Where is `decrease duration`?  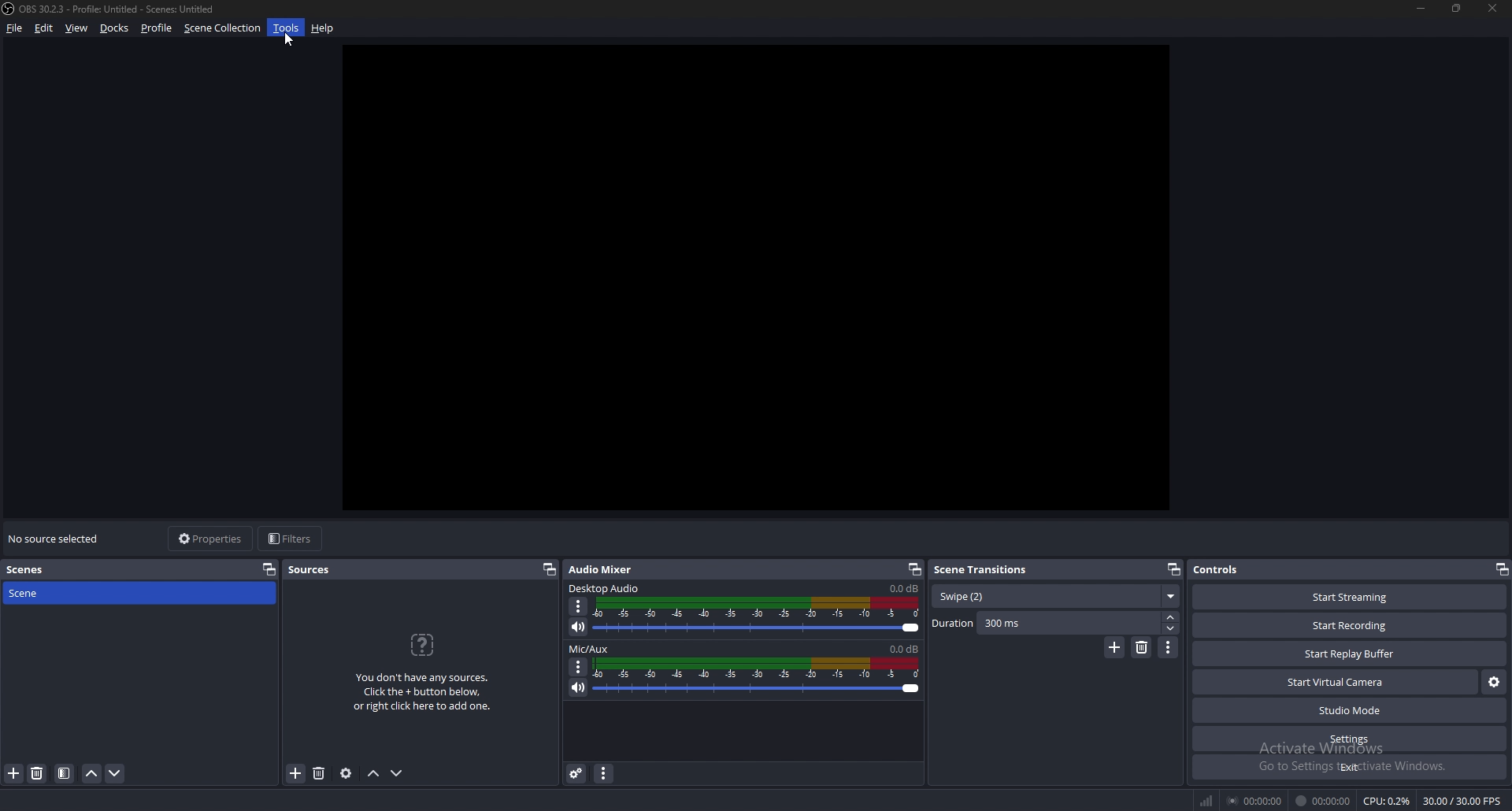
decrease duration is located at coordinates (1173, 628).